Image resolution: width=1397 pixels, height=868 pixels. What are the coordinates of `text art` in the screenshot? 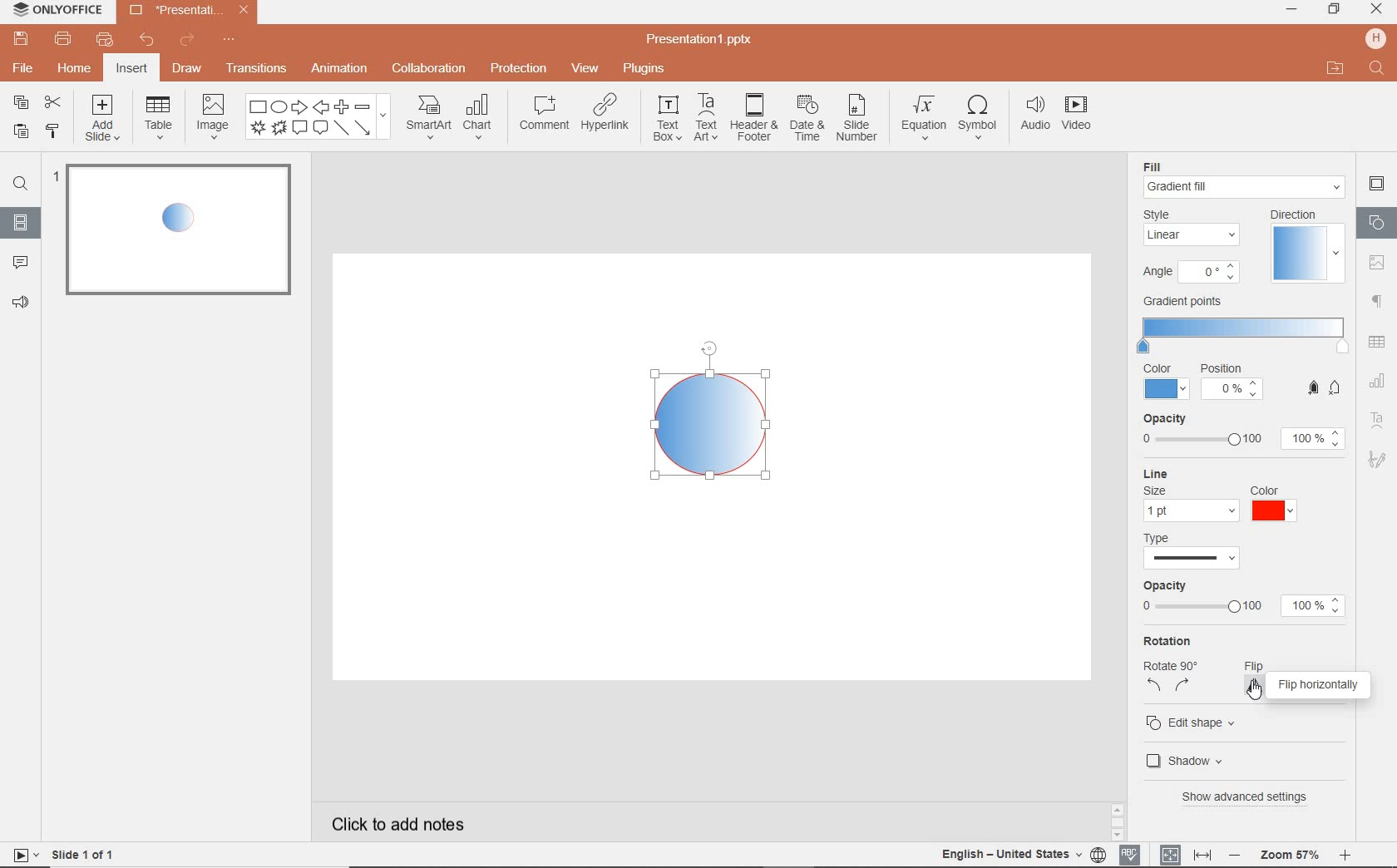 It's located at (1378, 420).